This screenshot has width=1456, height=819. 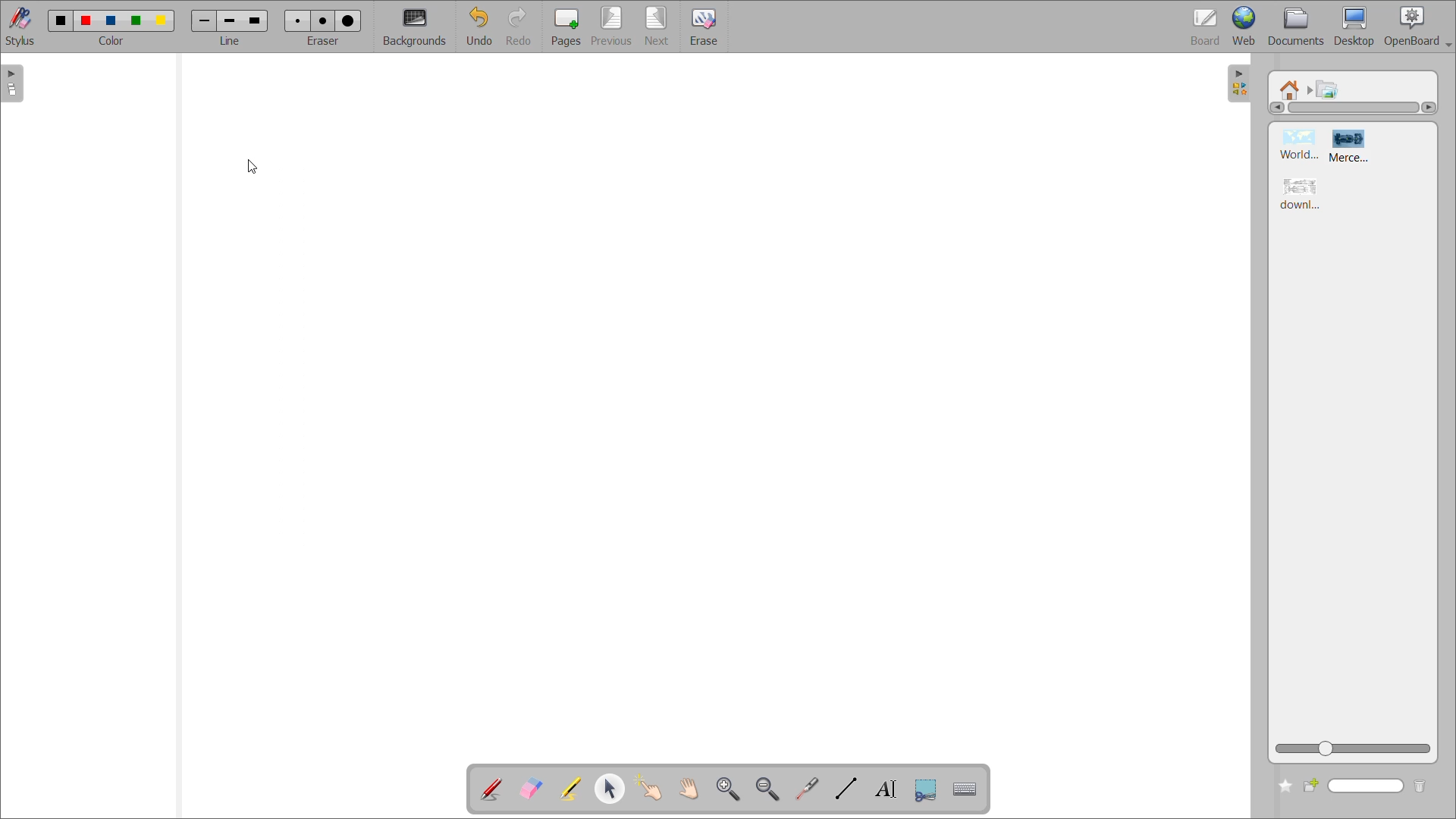 What do you see at coordinates (808, 789) in the screenshot?
I see `virtual laser pointer` at bounding box center [808, 789].